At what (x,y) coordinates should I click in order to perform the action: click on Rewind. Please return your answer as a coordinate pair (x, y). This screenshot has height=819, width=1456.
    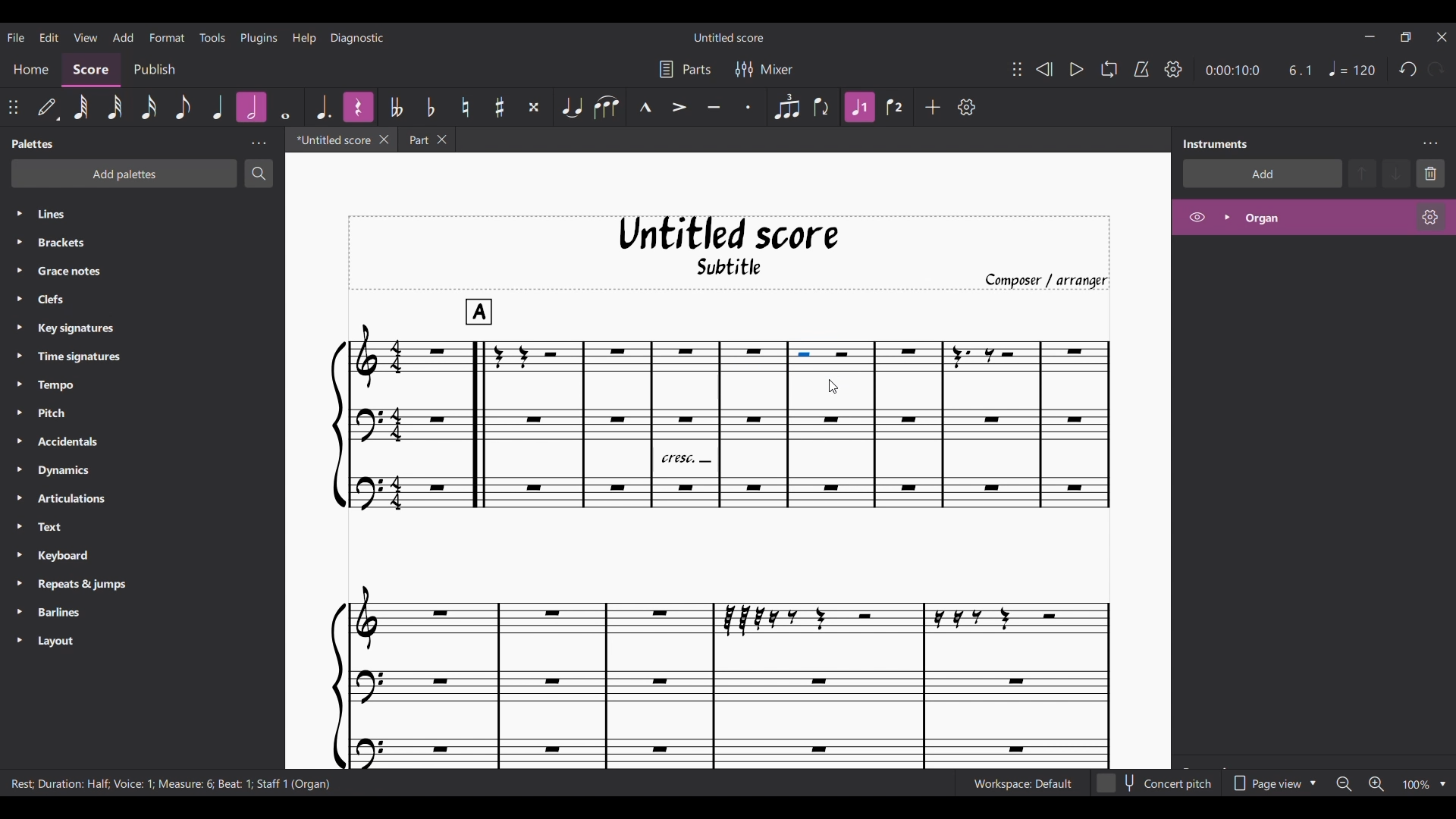
    Looking at the image, I should click on (1045, 69).